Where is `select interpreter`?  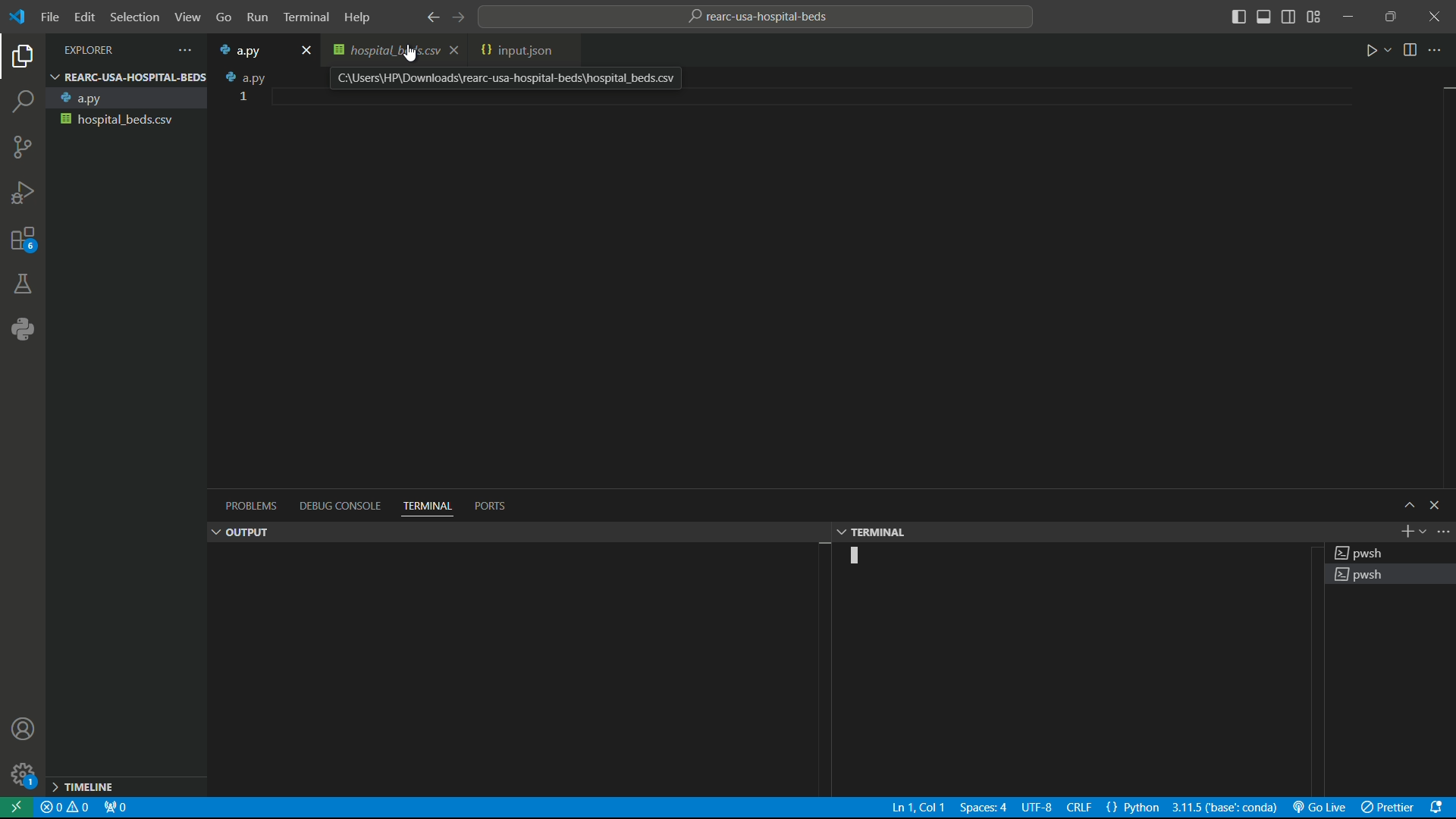
select interpreter is located at coordinates (1223, 808).